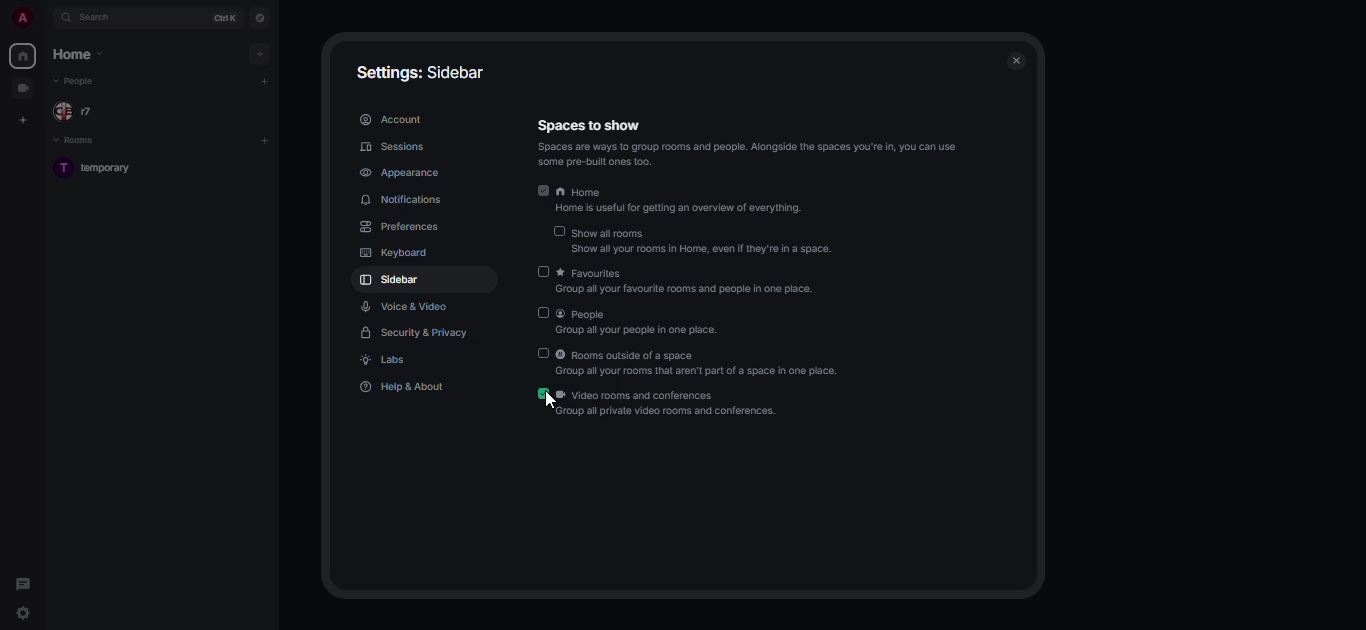  I want to click on "Group all private video rooms and conferences., so click(670, 413).